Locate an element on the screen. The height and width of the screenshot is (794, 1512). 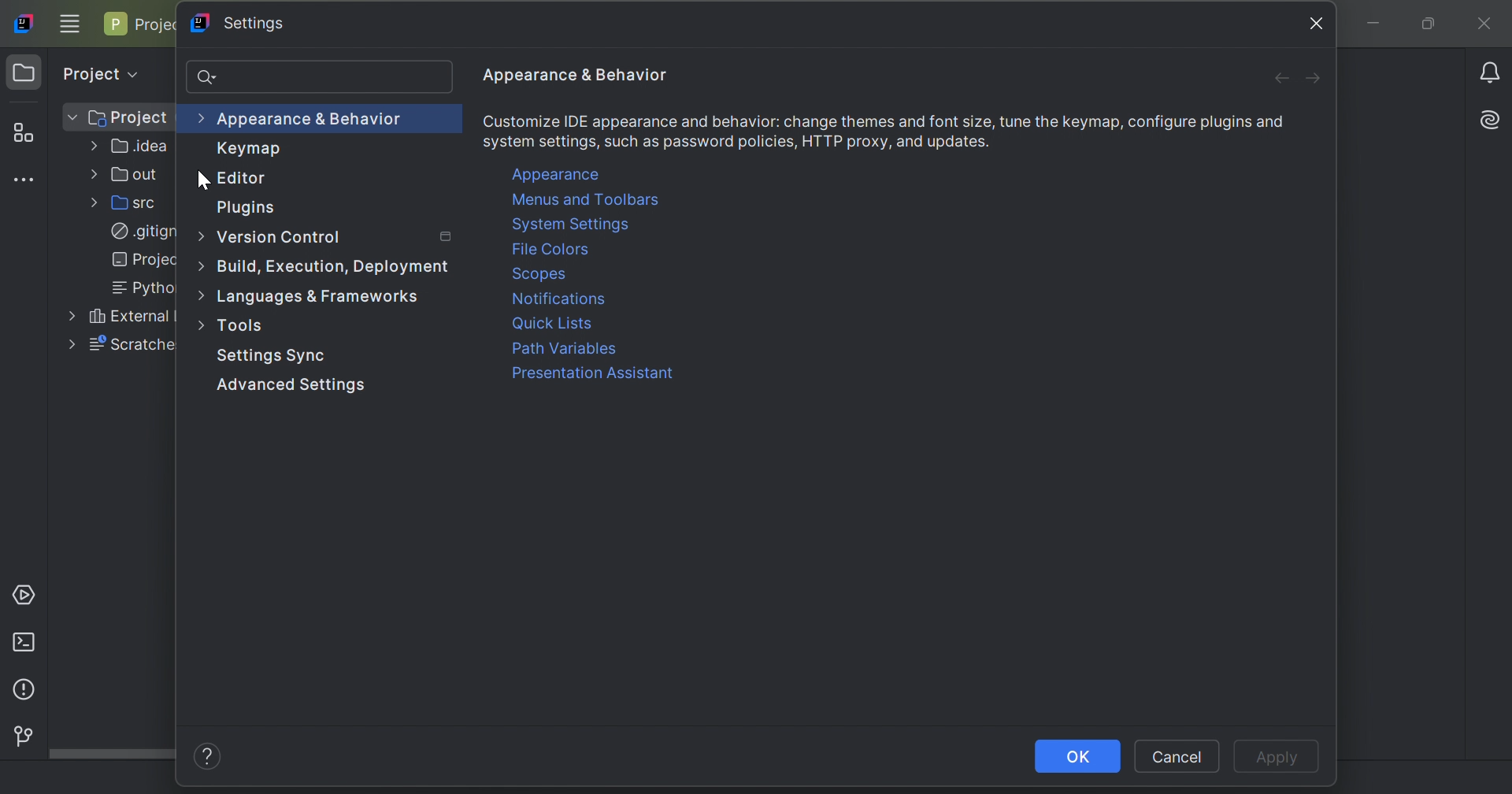
Scopes is located at coordinates (541, 273).